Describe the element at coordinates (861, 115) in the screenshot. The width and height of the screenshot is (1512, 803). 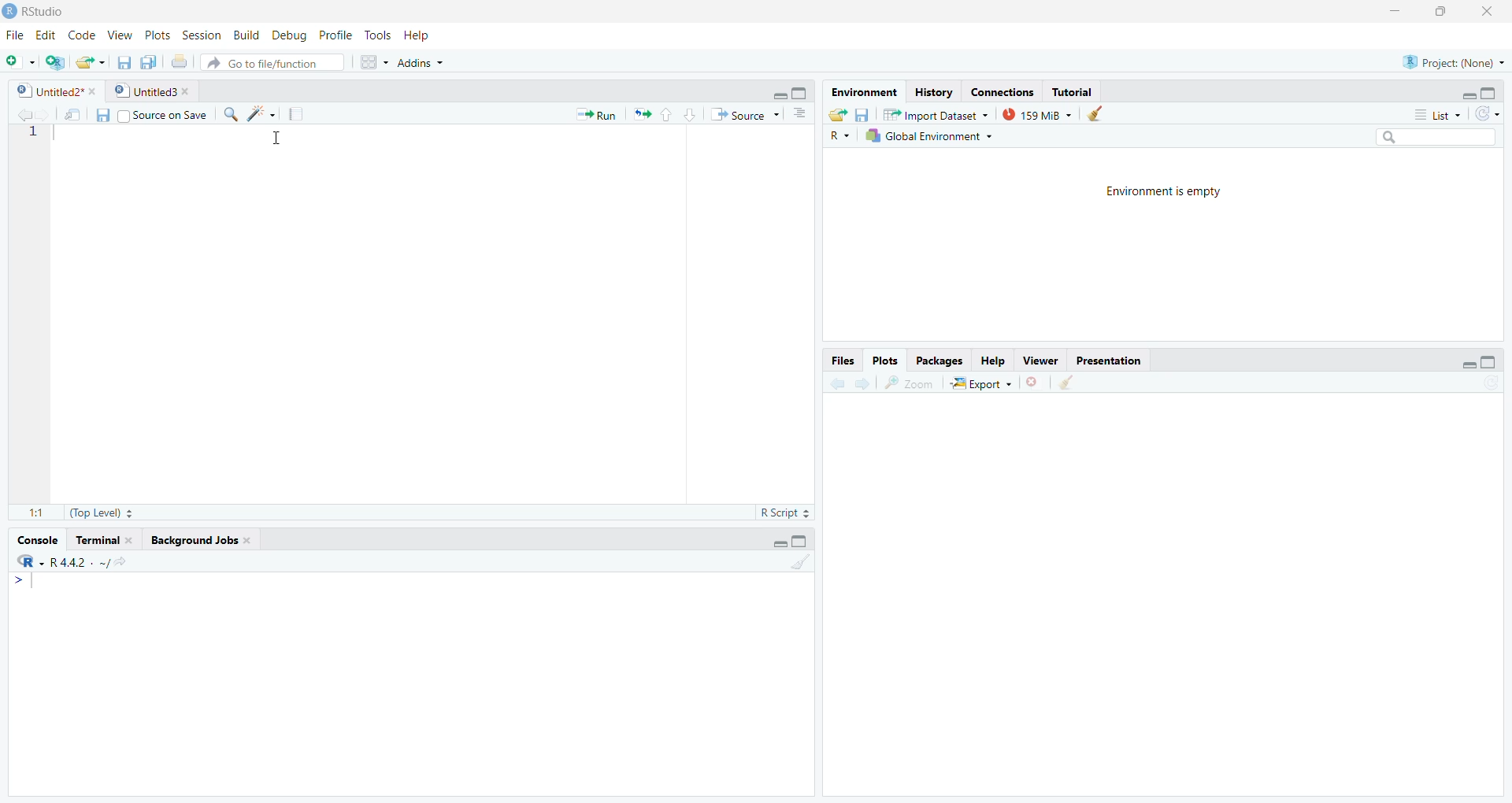
I see `Save` at that location.